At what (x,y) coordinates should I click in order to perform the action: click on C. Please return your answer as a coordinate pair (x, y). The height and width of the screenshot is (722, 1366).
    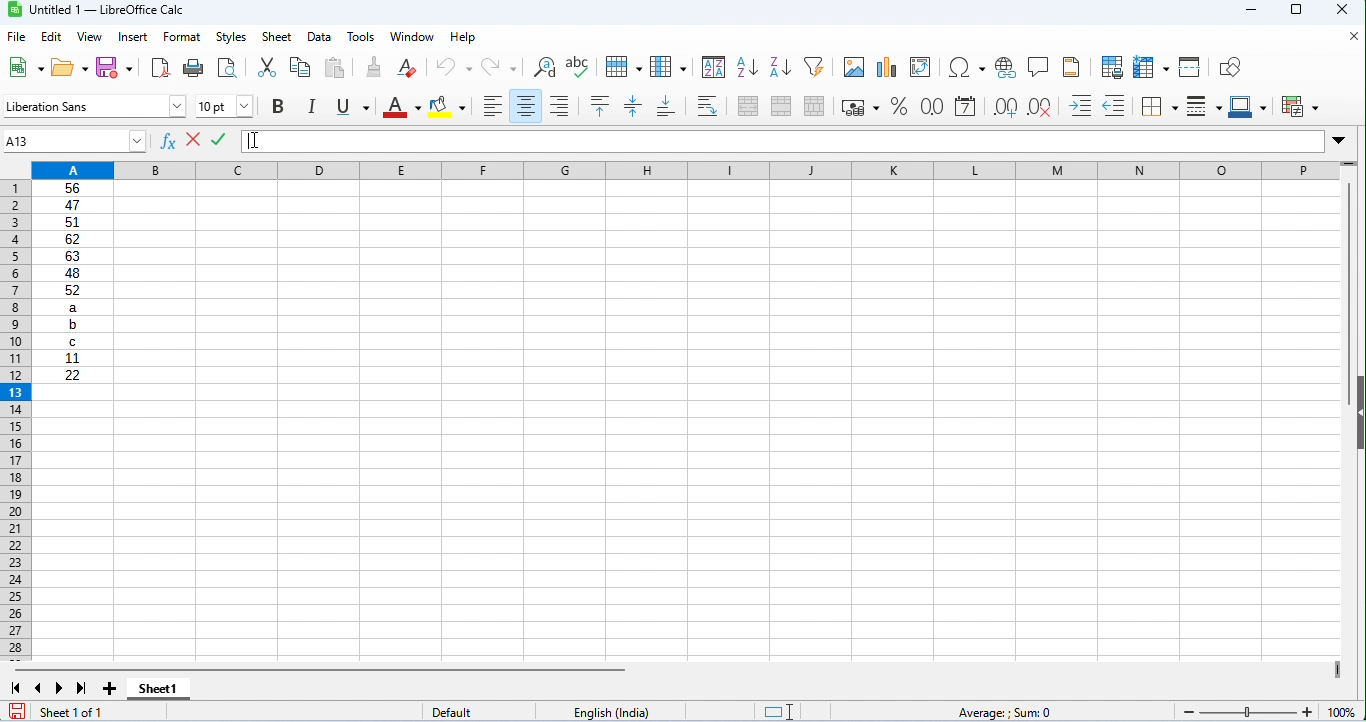
    Looking at the image, I should click on (73, 341).